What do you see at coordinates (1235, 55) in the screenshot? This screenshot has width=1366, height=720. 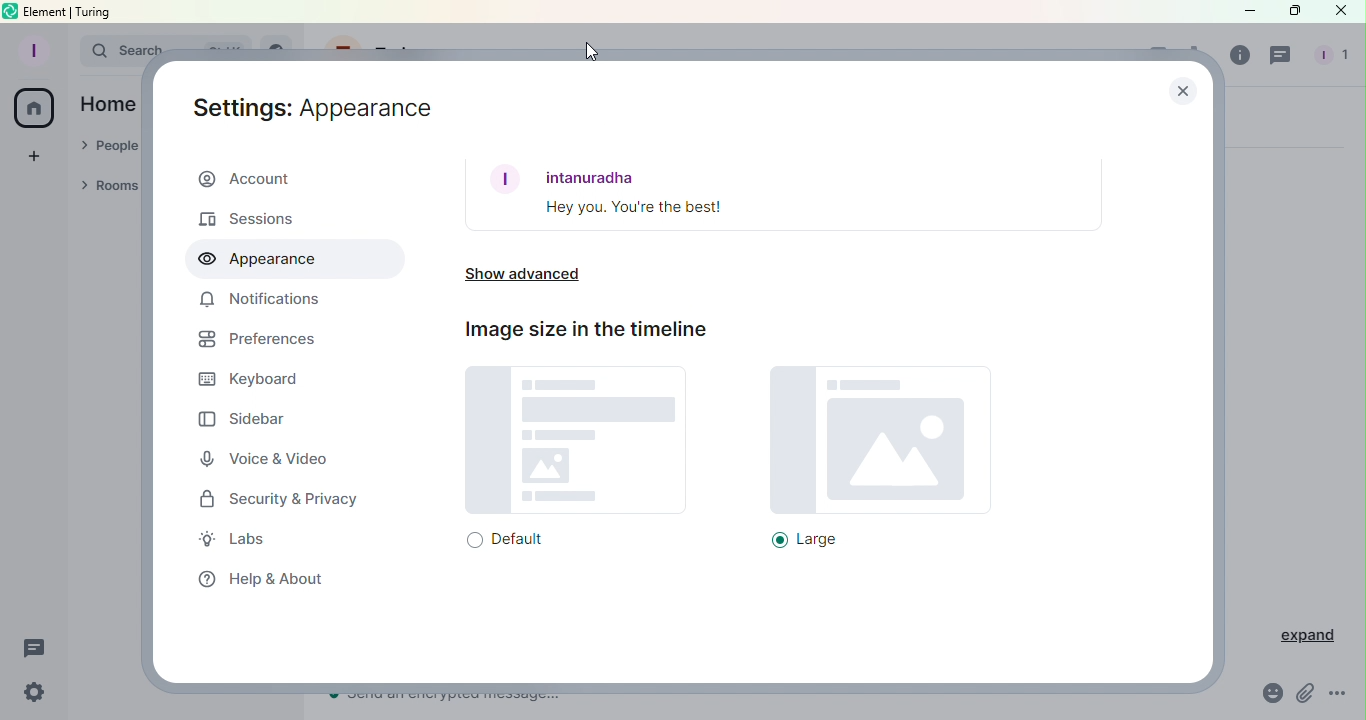 I see `Room info` at bounding box center [1235, 55].